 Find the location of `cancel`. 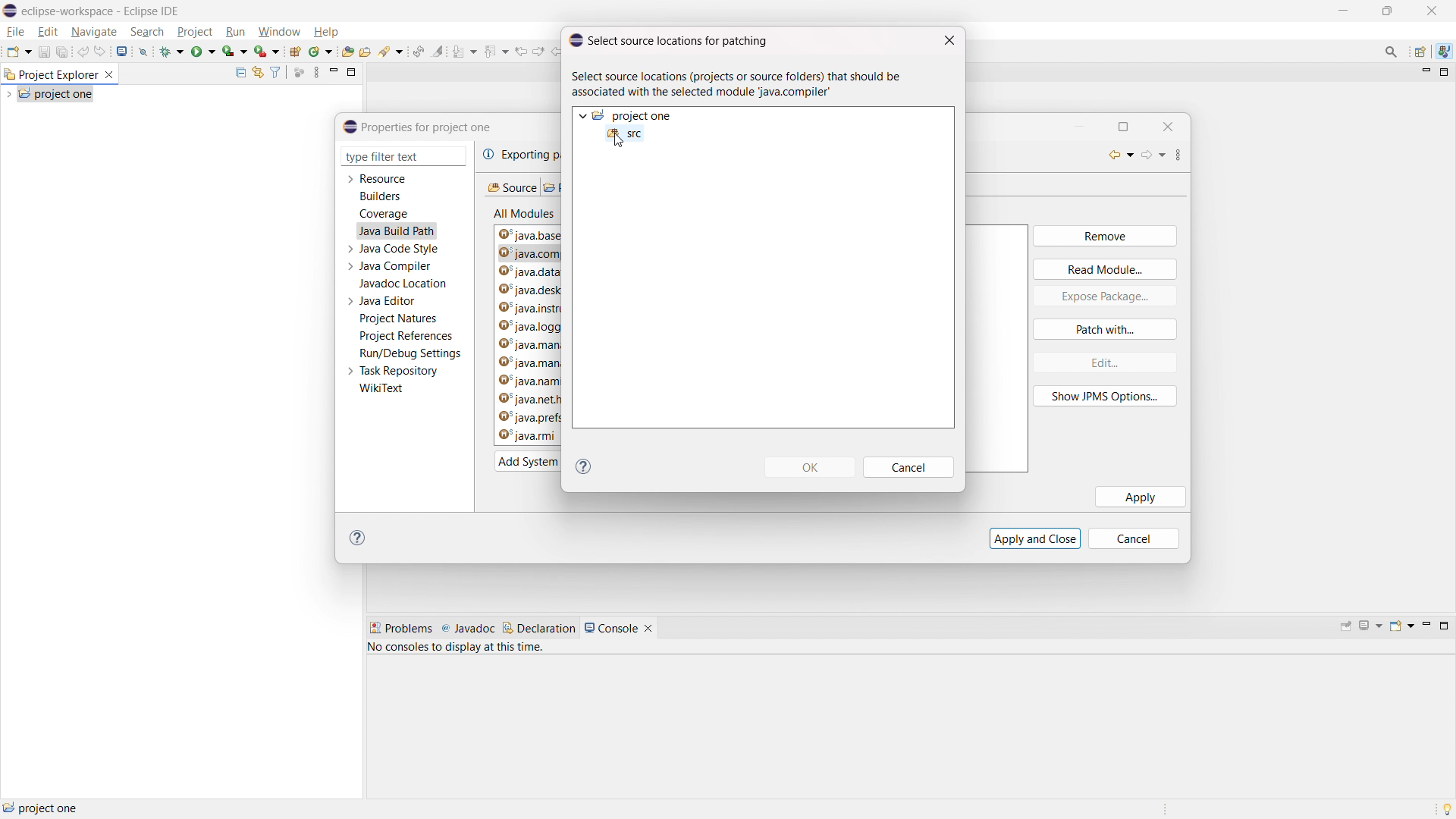

cancel is located at coordinates (910, 468).